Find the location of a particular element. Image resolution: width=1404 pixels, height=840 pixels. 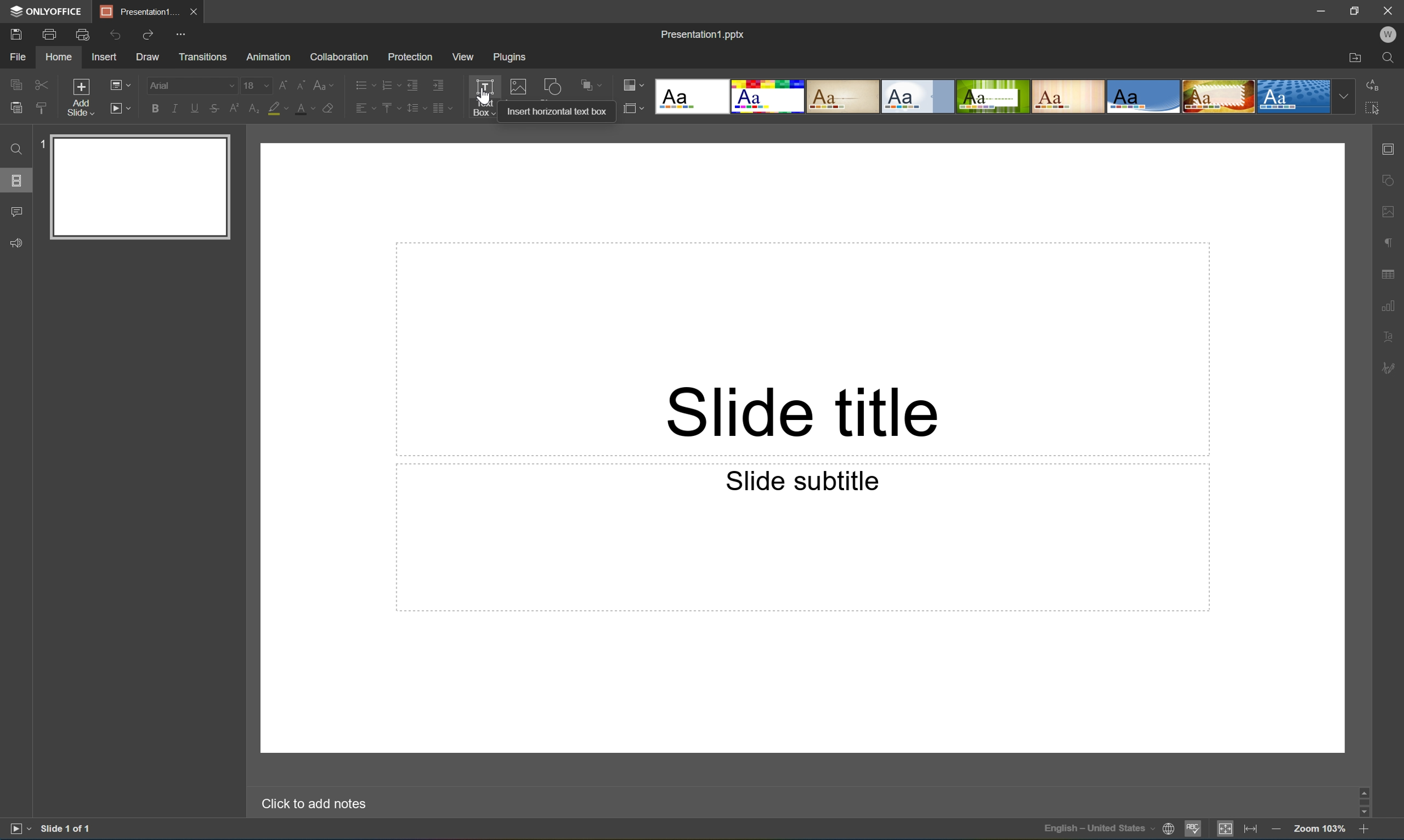

image settings is located at coordinates (1390, 214).